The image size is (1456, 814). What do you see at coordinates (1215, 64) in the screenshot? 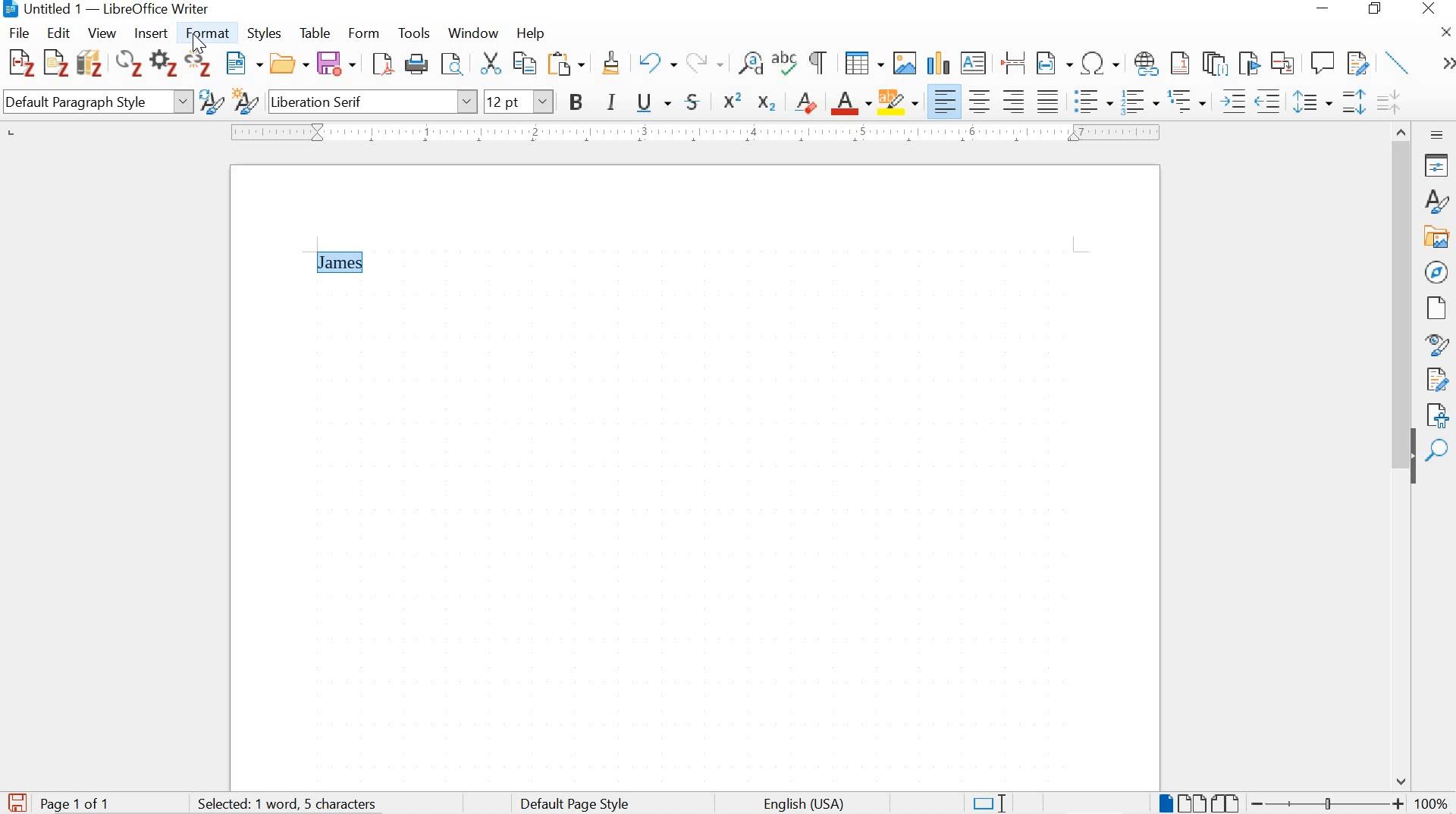
I see `insert endnote` at bounding box center [1215, 64].